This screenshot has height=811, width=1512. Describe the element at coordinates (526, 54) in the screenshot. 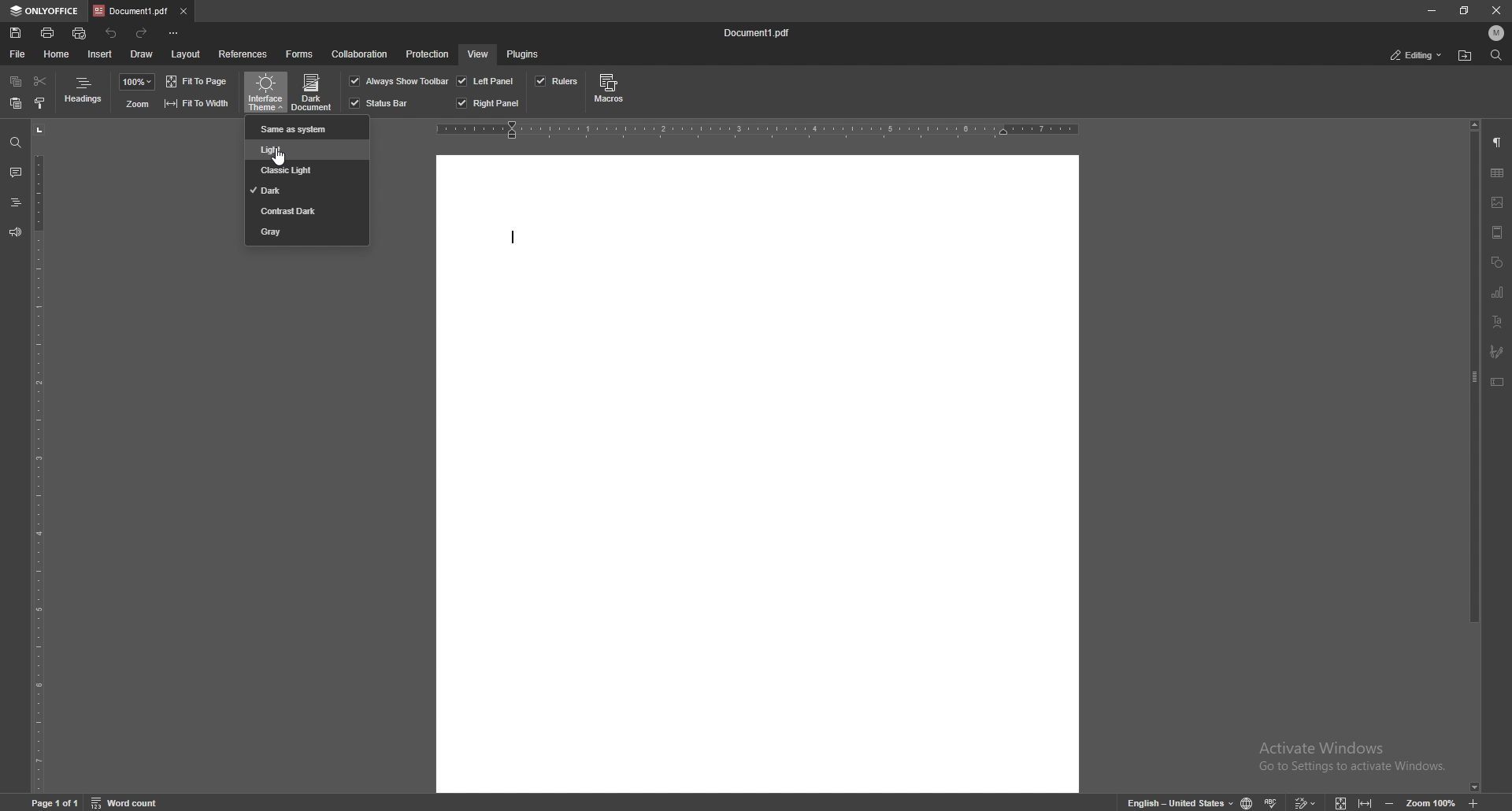

I see `plugins` at that location.